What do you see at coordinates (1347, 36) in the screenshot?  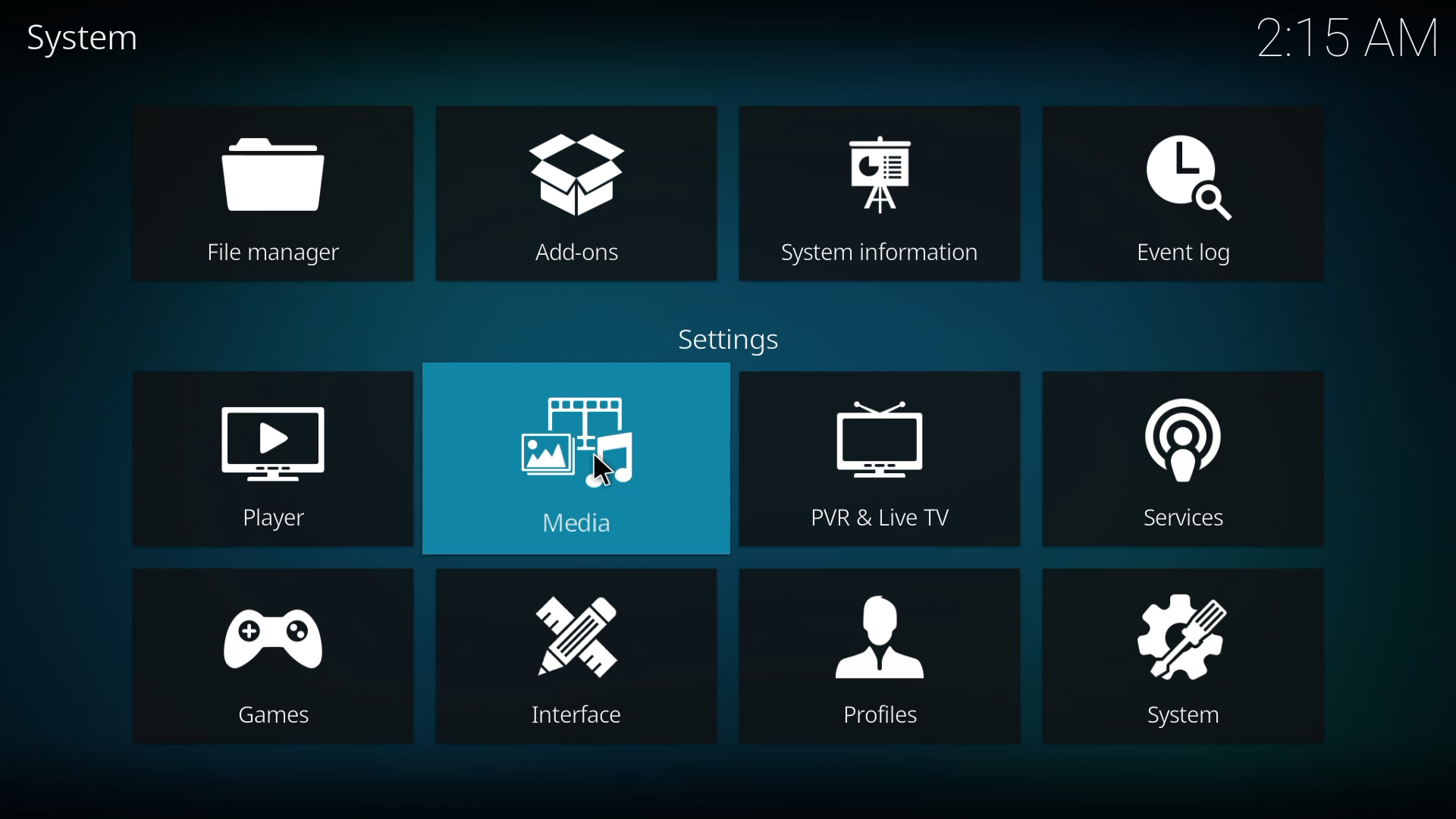 I see `time` at bounding box center [1347, 36].